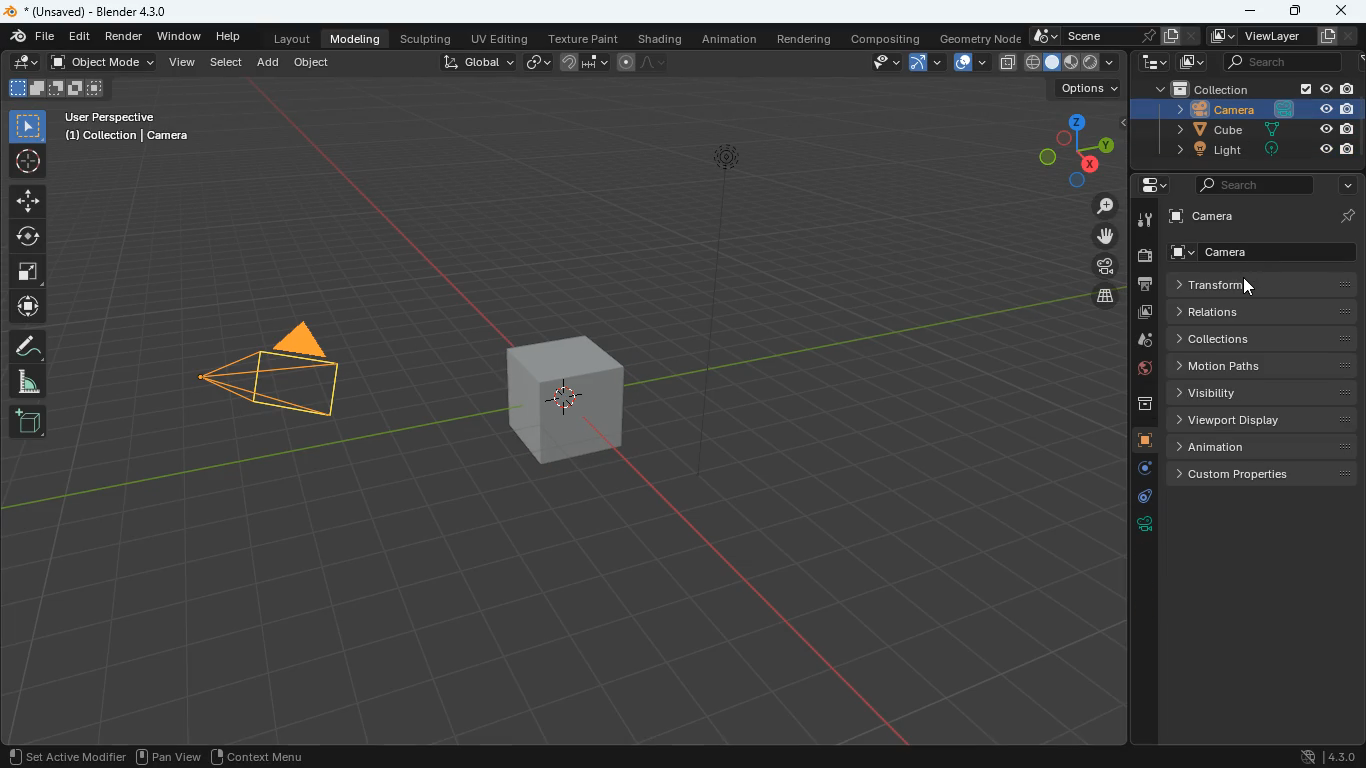  I want to click on more, so click(1342, 185).